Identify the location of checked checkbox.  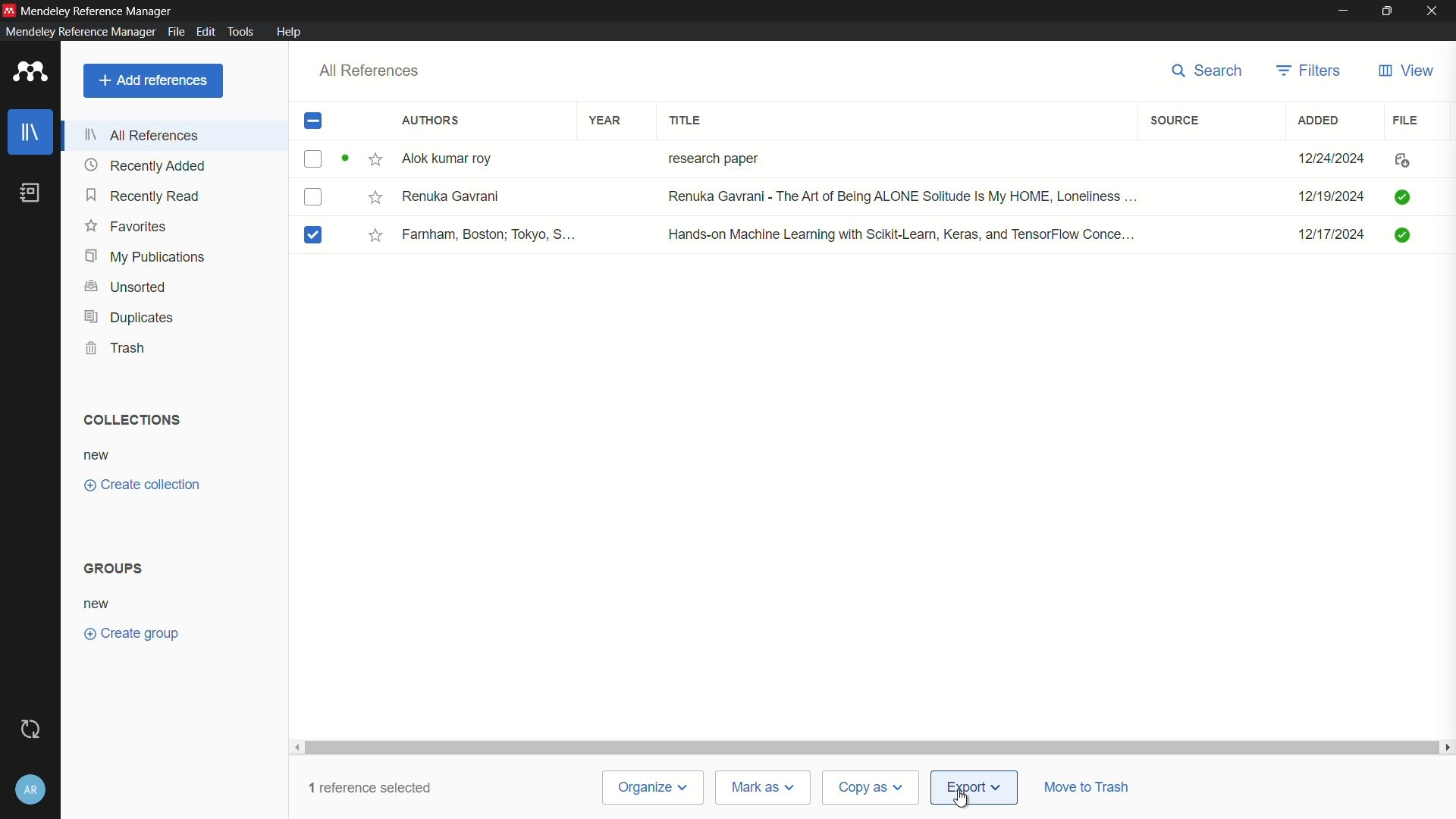
(312, 235).